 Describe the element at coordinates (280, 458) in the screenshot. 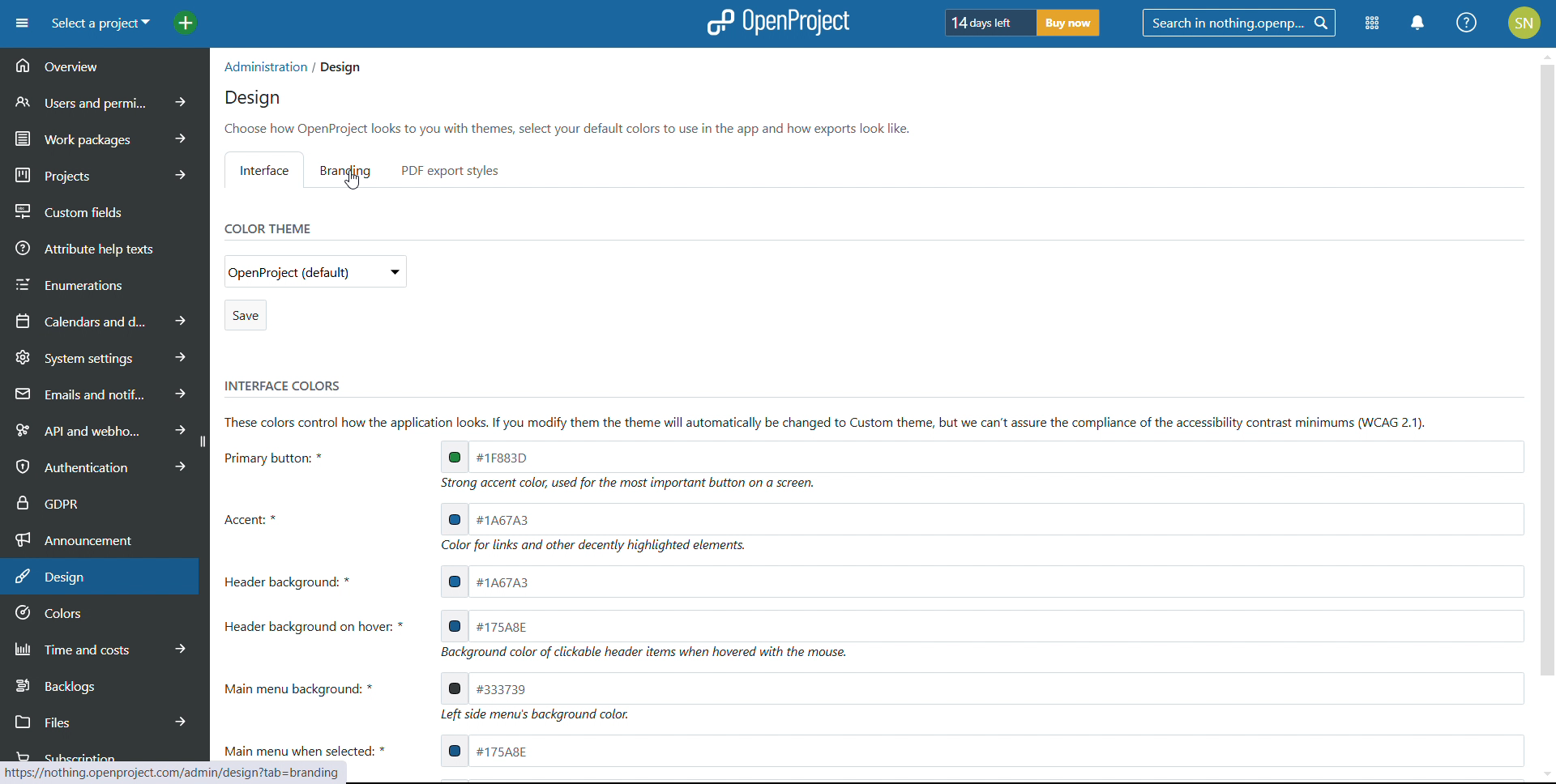

I see `Primary button: *` at that location.